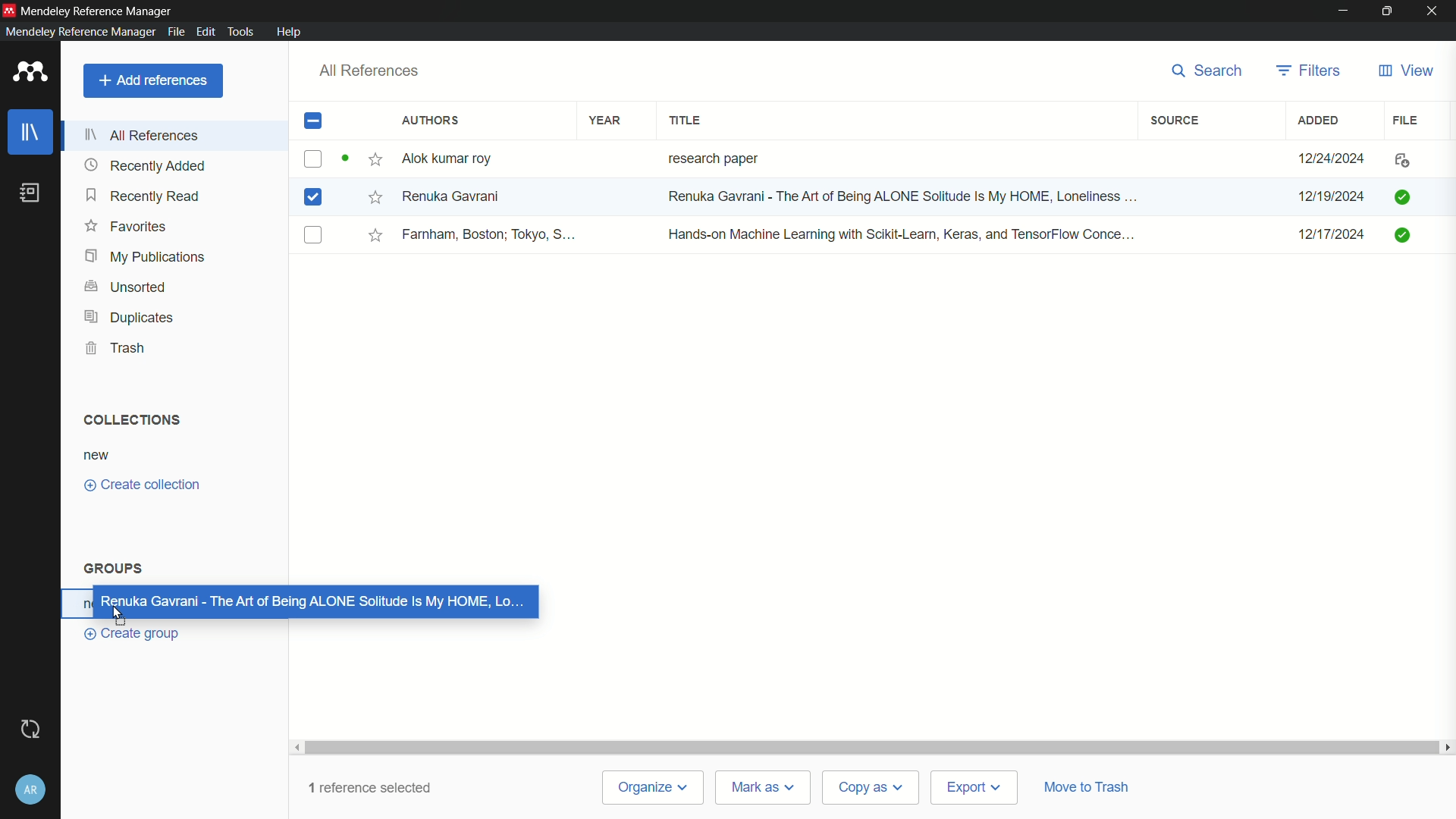 The image size is (1456, 819). Describe the element at coordinates (1090, 784) in the screenshot. I see `move to trash` at that location.